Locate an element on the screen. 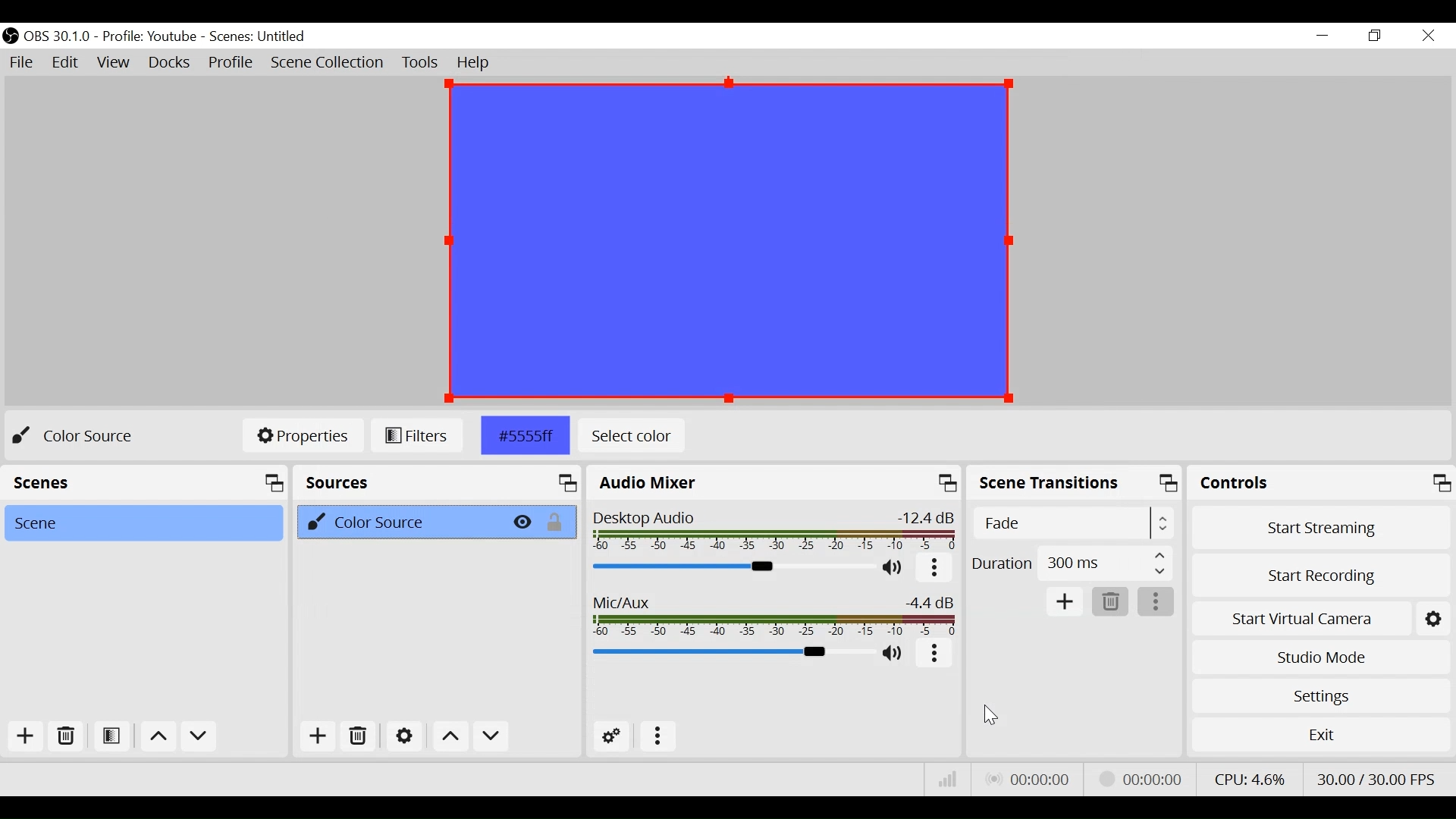 This screenshot has height=819, width=1456. Delete is located at coordinates (359, 736).